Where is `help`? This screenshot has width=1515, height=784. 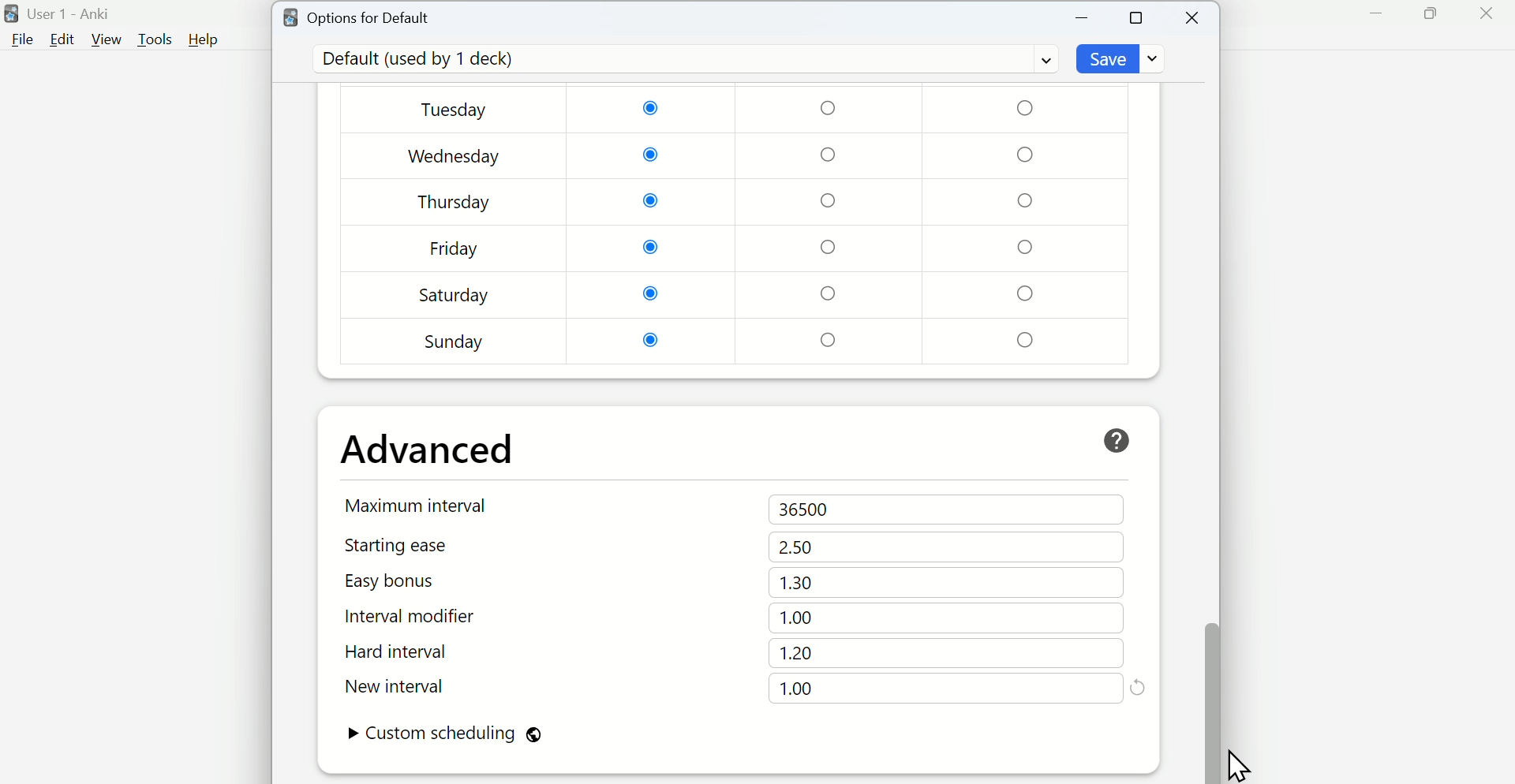 help is located at coordinates (1117, 441).